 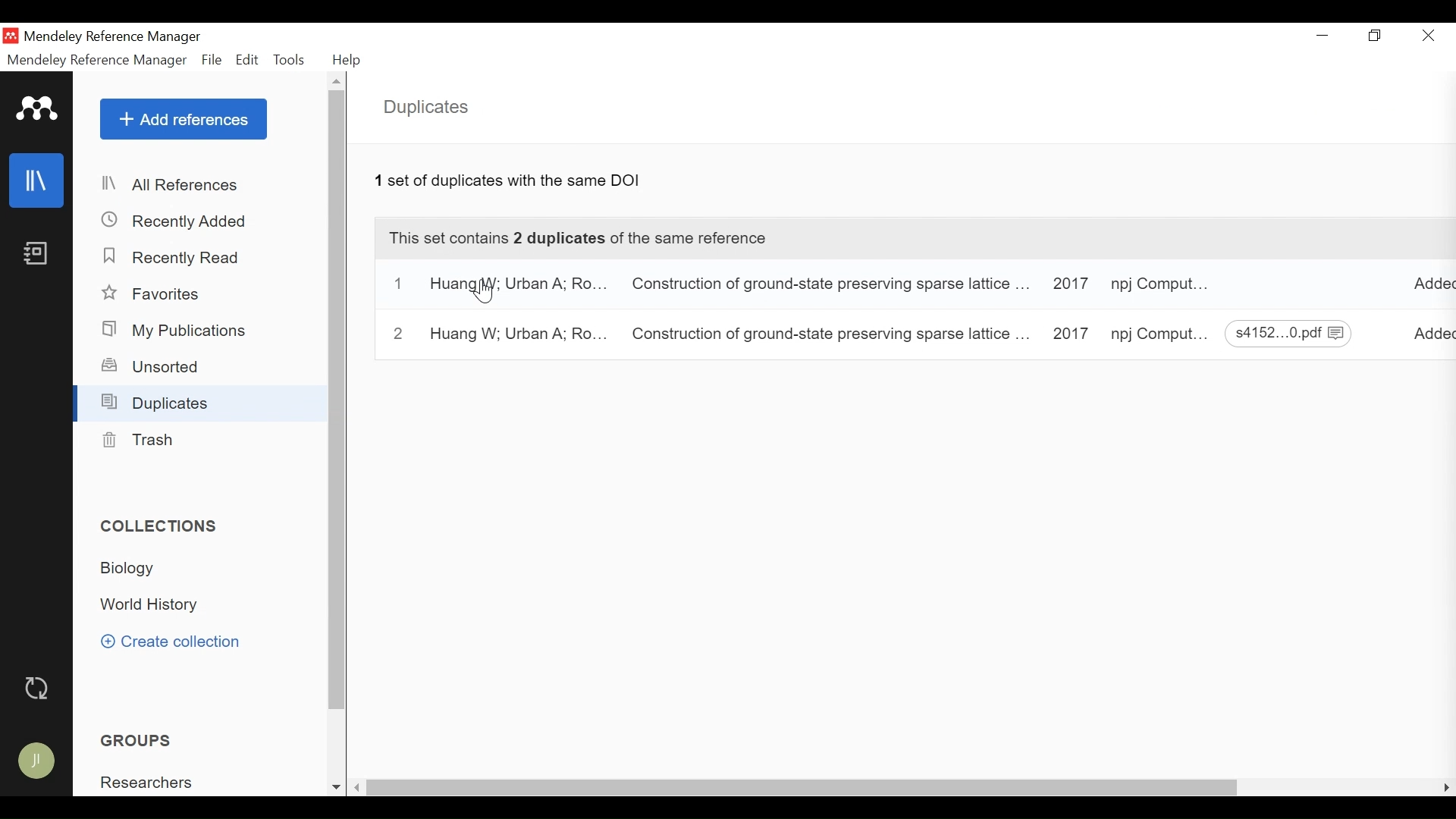 What do you see at coordinates (212, 61) in the screenshot?
I see `File` at bounding box center [212, 61].